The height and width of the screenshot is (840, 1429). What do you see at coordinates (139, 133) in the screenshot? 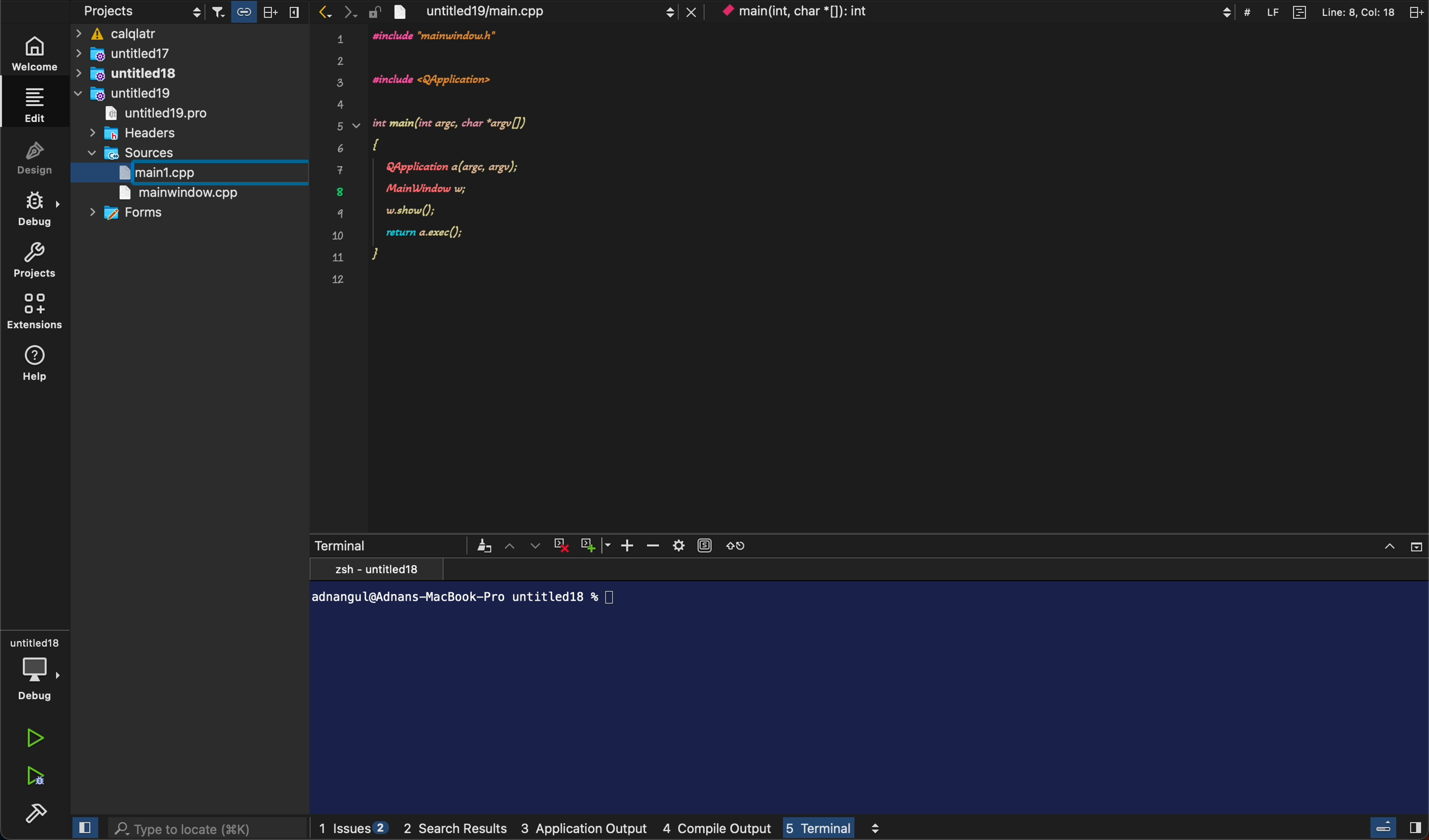
I see `headers` at bounding box center [139, 133].